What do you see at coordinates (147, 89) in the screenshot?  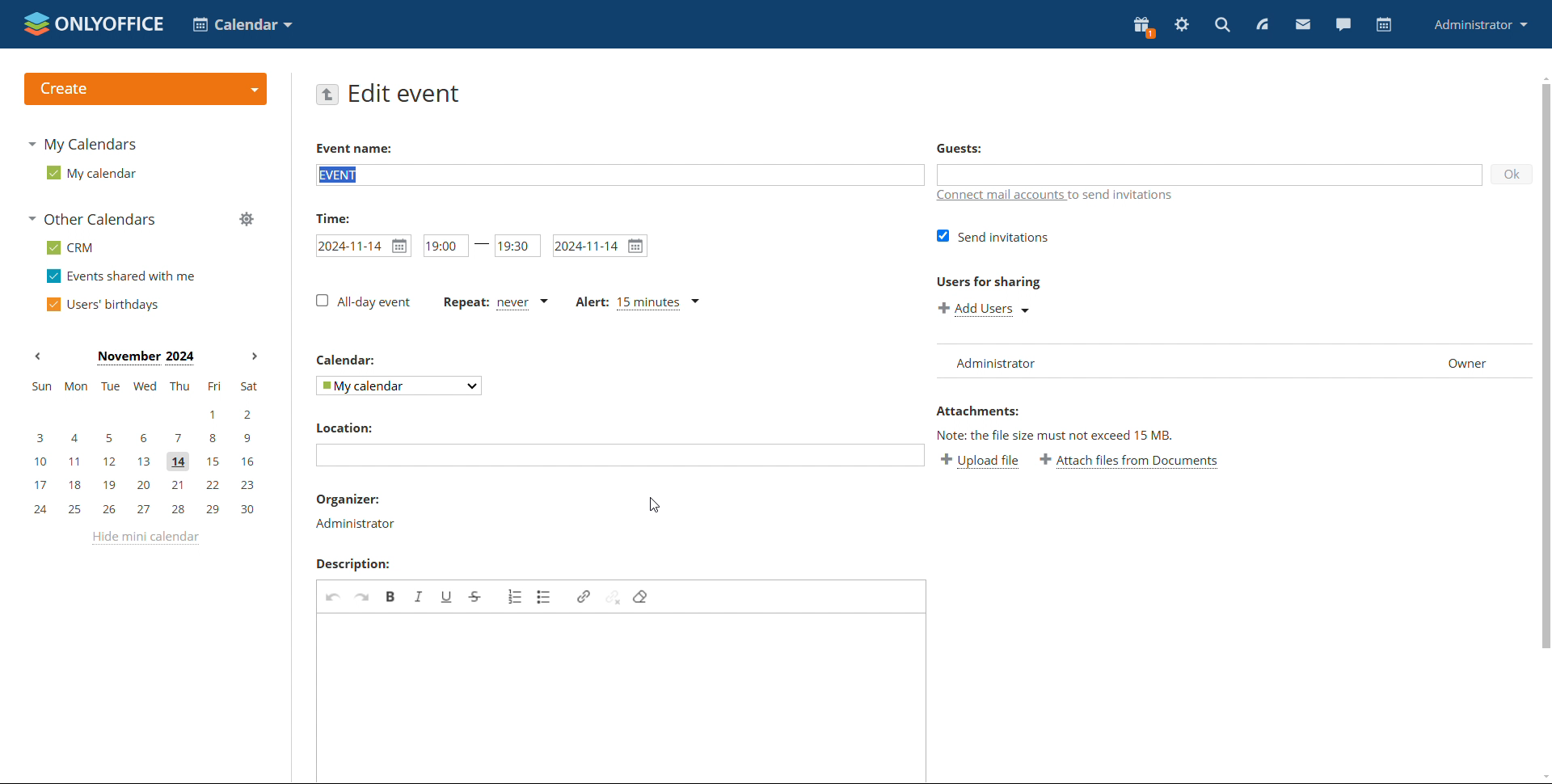 I see `logo` at bounding box center [147, 89].